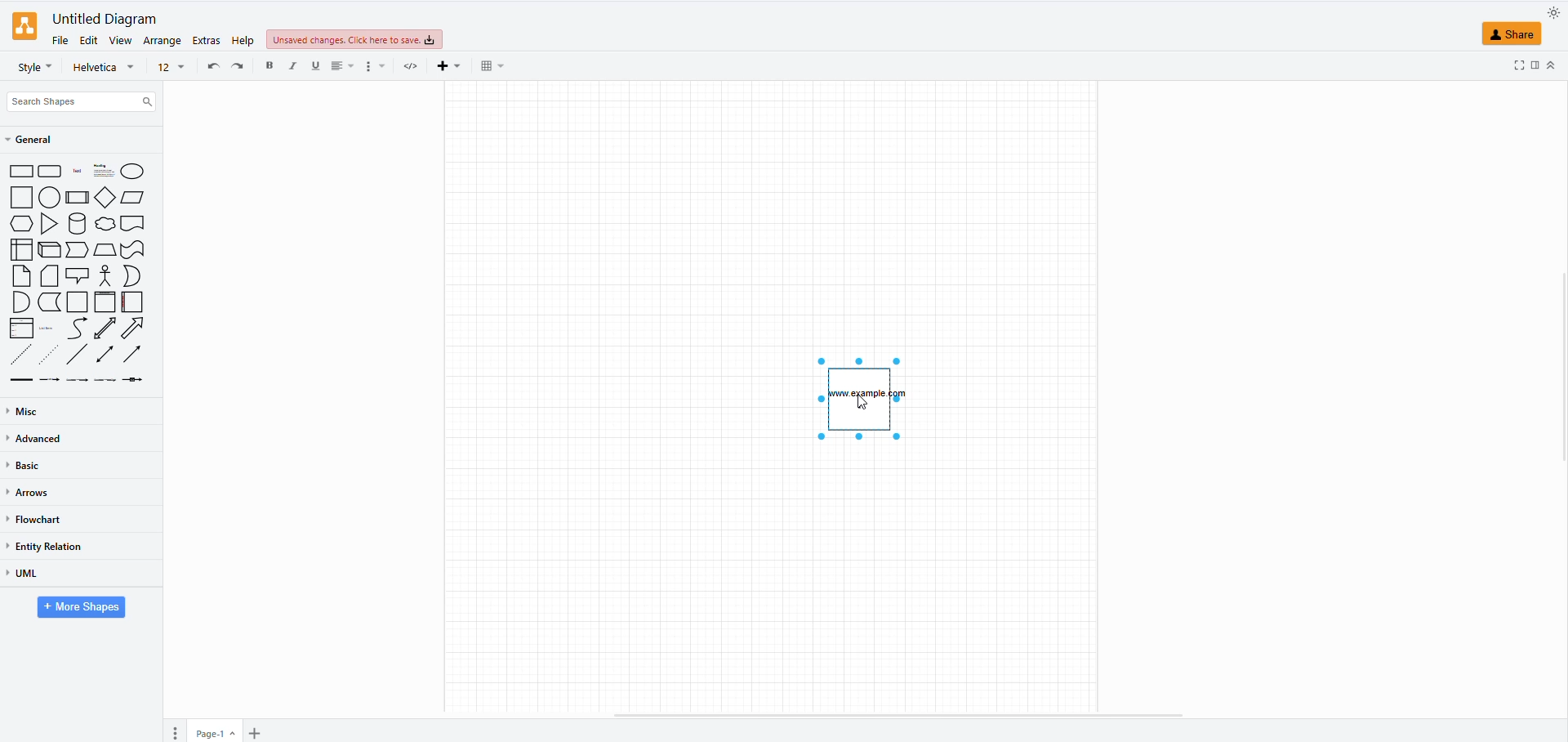 The height and width of the screenshot is (742, 1568). I want to click on hexagon, so click(22, 225).